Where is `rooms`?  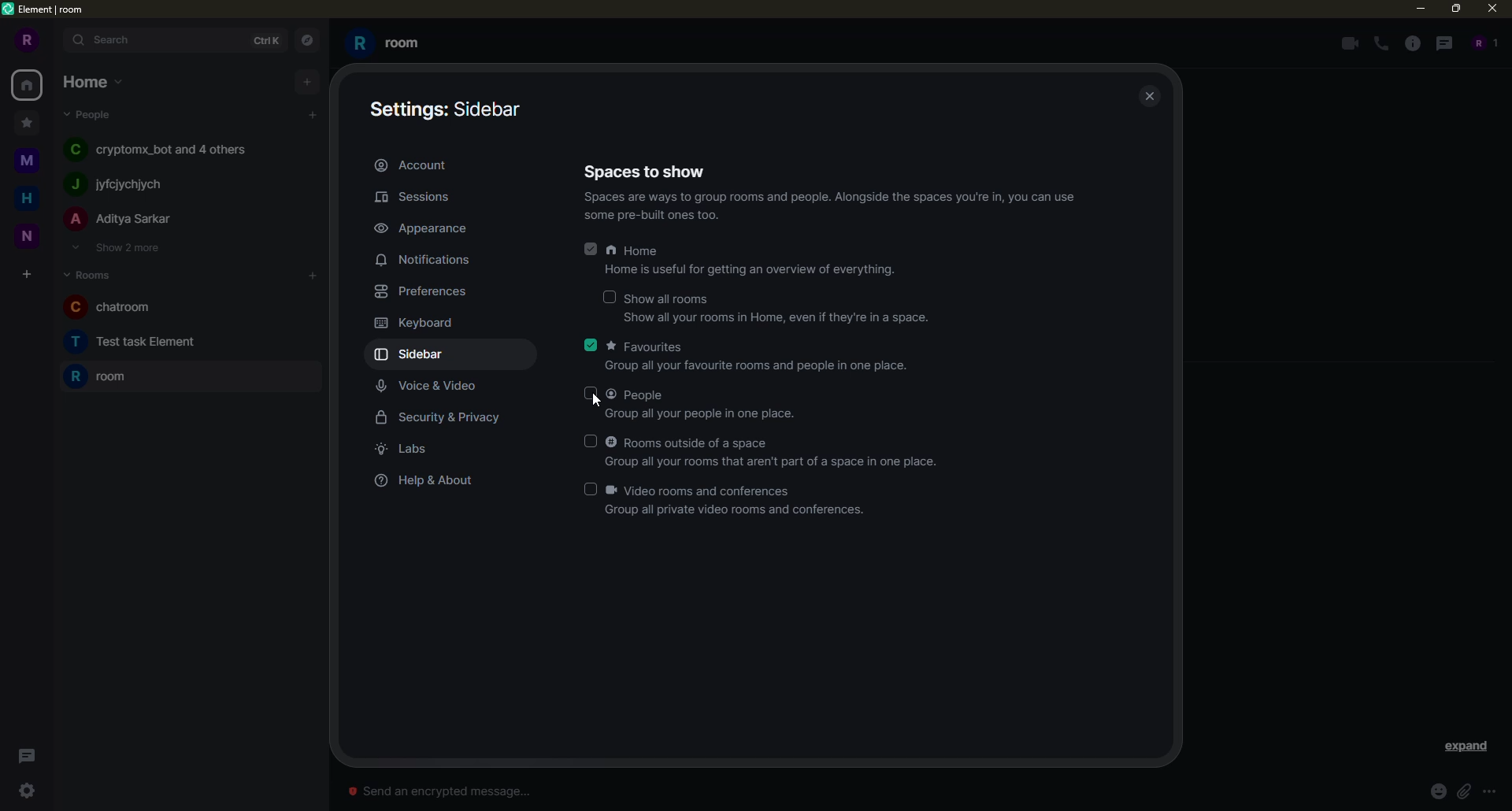 rooms is located at coordinates (88, 273).